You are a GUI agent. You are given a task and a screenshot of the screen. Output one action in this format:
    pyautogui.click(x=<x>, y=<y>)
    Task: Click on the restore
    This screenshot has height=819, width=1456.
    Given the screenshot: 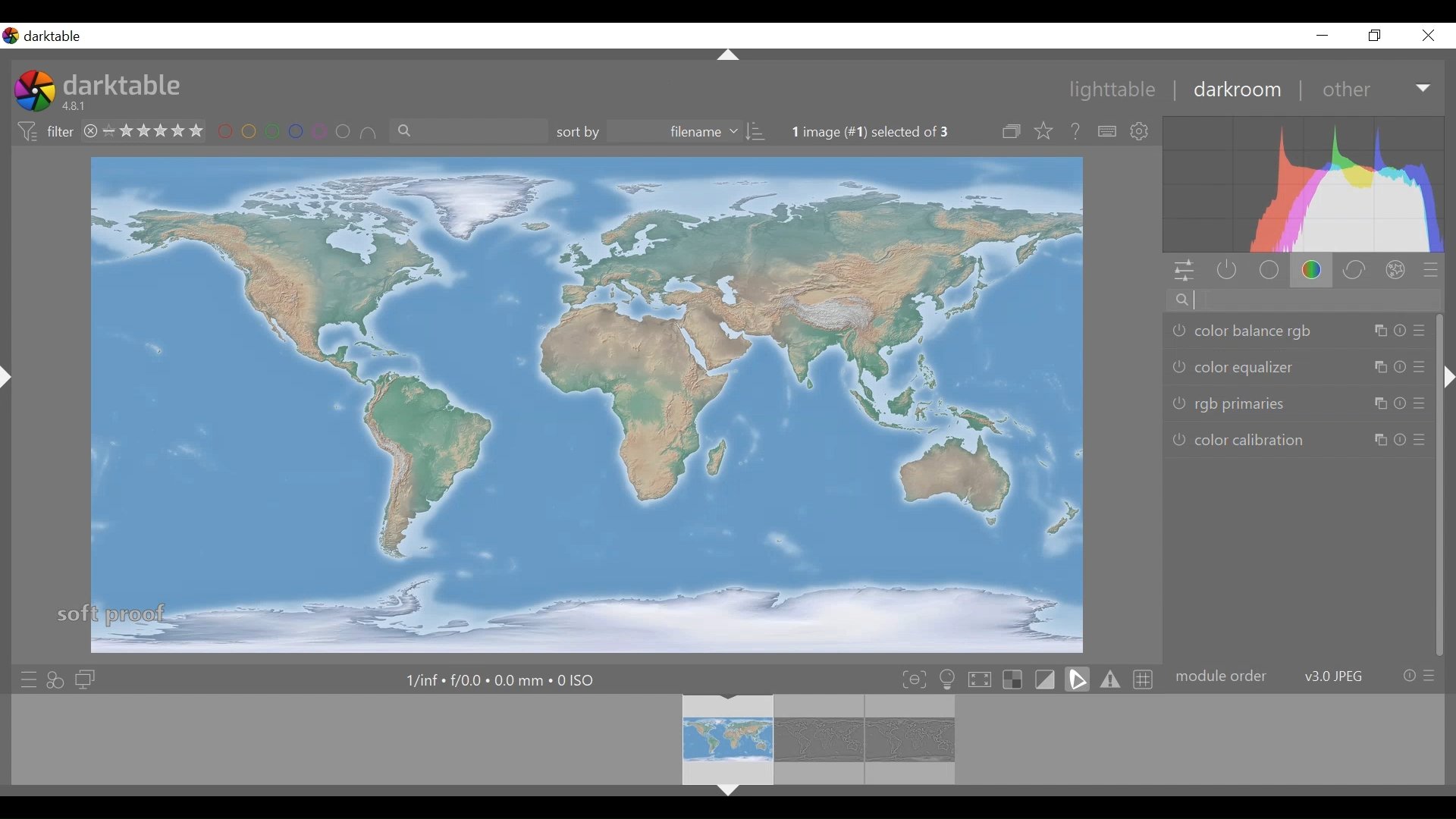 What is the action you would take?
    pyautogui.click(x=1378, y=37)
    